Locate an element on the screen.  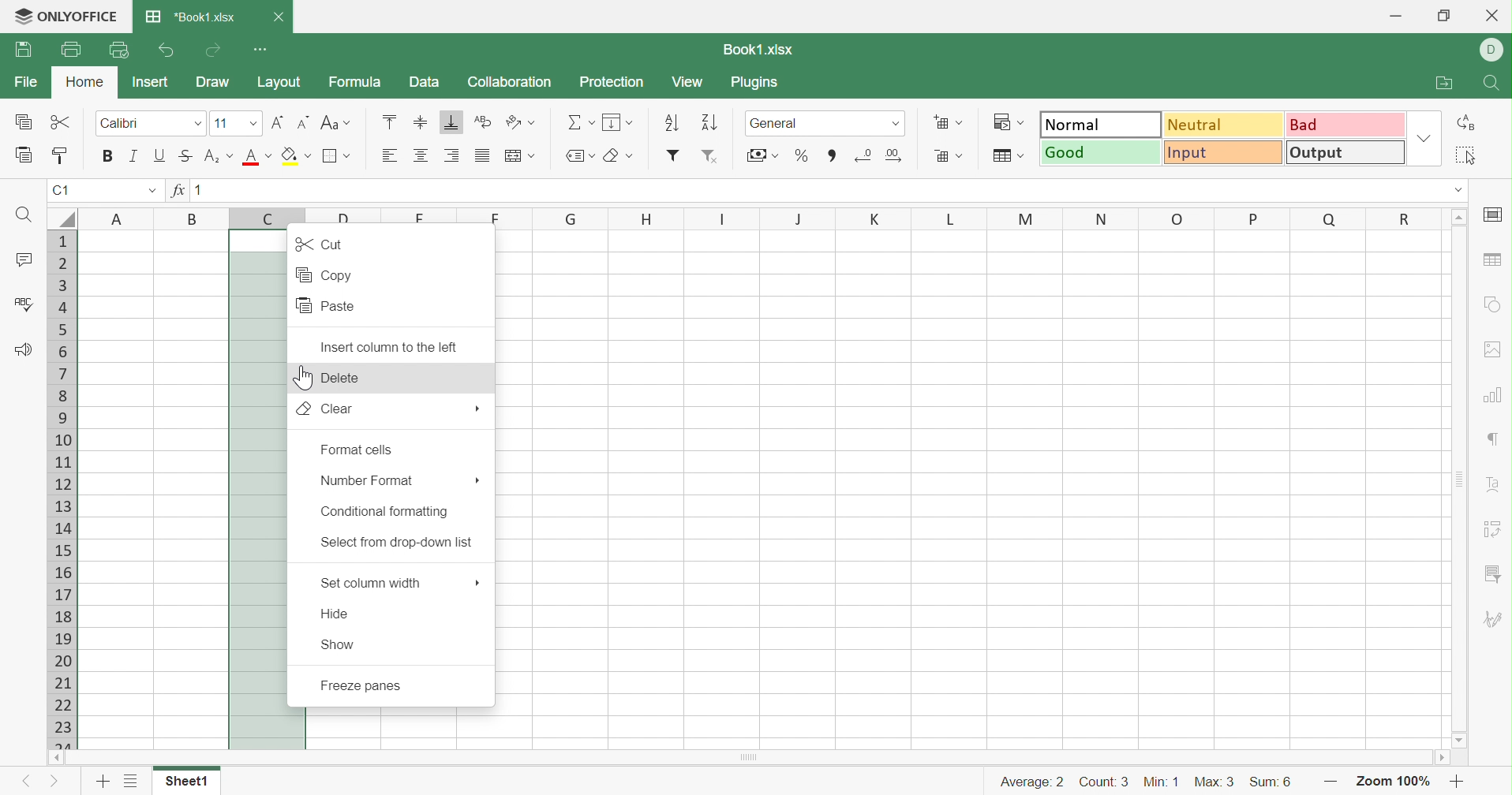
Paste is located at coordinates (22, 154).